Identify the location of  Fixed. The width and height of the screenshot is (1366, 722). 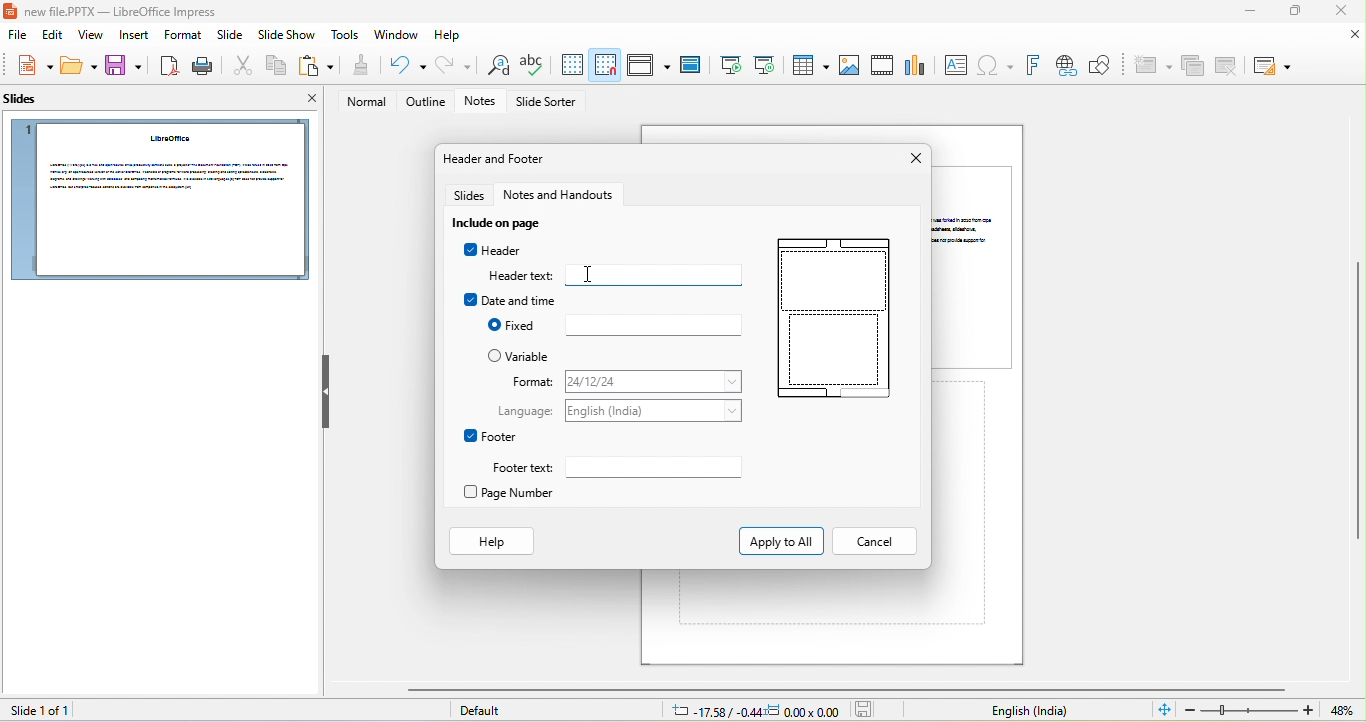
(511, 325).